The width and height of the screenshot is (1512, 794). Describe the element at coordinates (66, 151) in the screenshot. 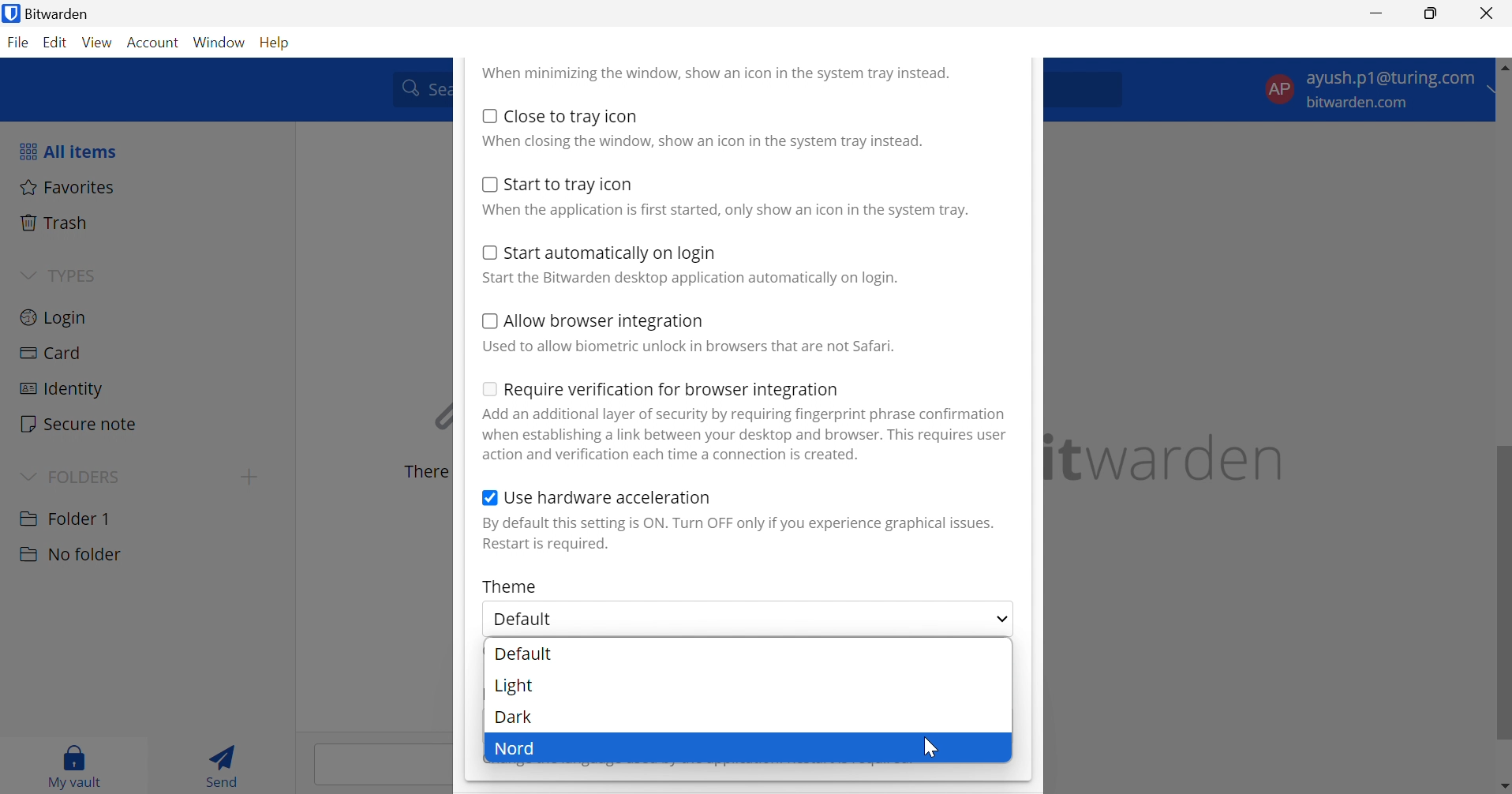

I see `All items` at that location.